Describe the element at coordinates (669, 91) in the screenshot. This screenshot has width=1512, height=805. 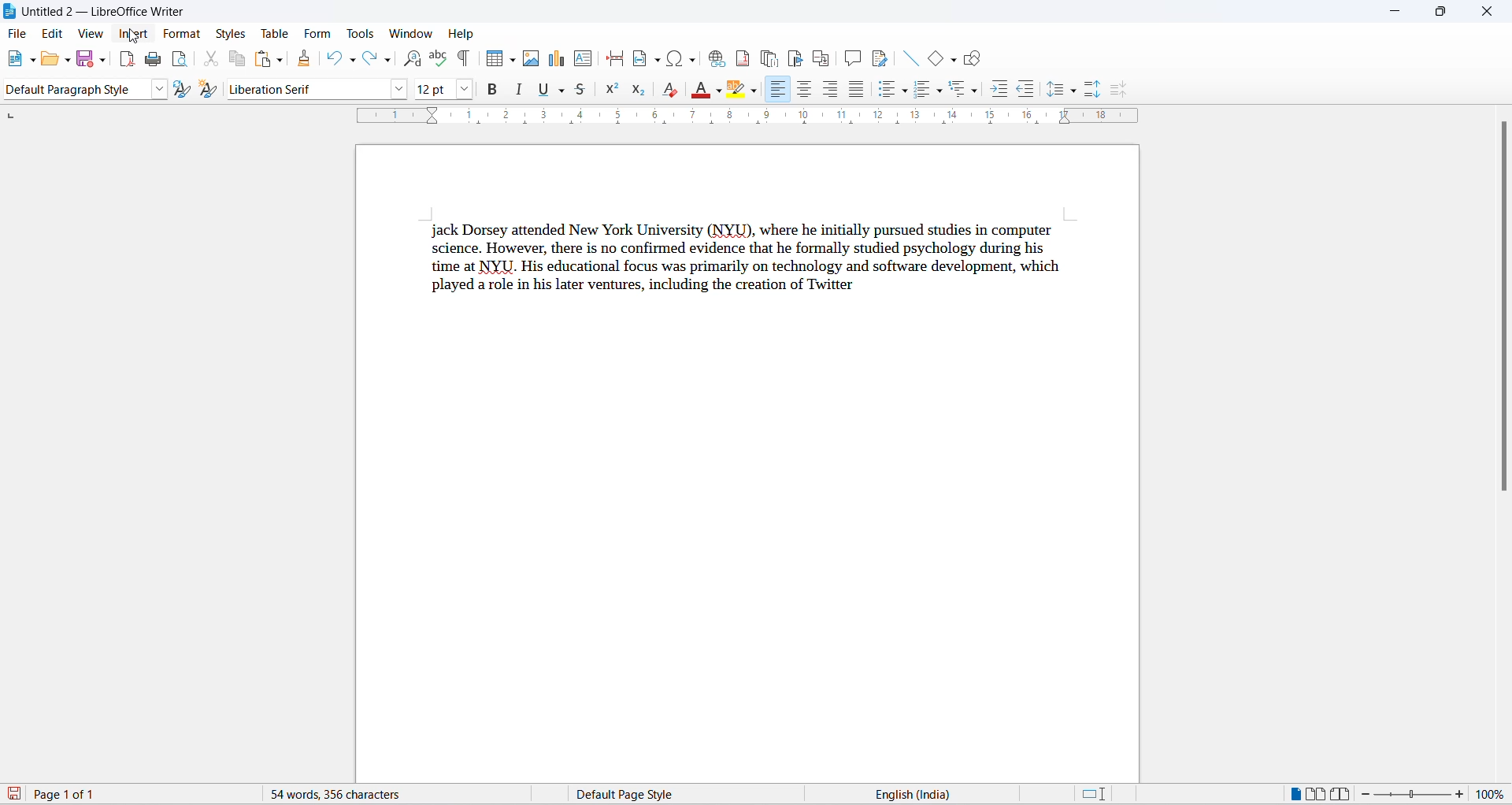
I see `clear direct formatting` at that location.